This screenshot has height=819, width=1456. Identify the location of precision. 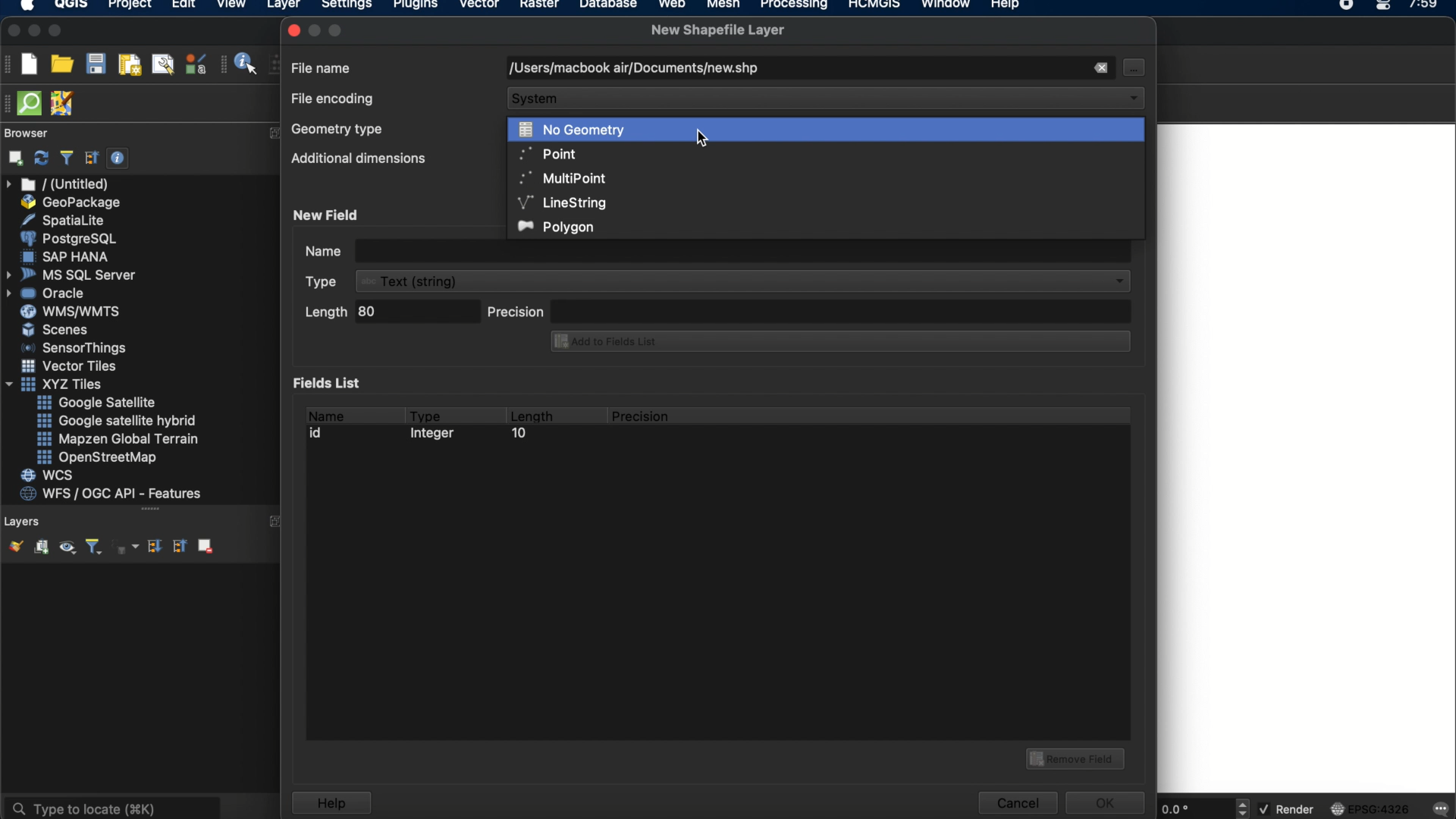
(809, 310).